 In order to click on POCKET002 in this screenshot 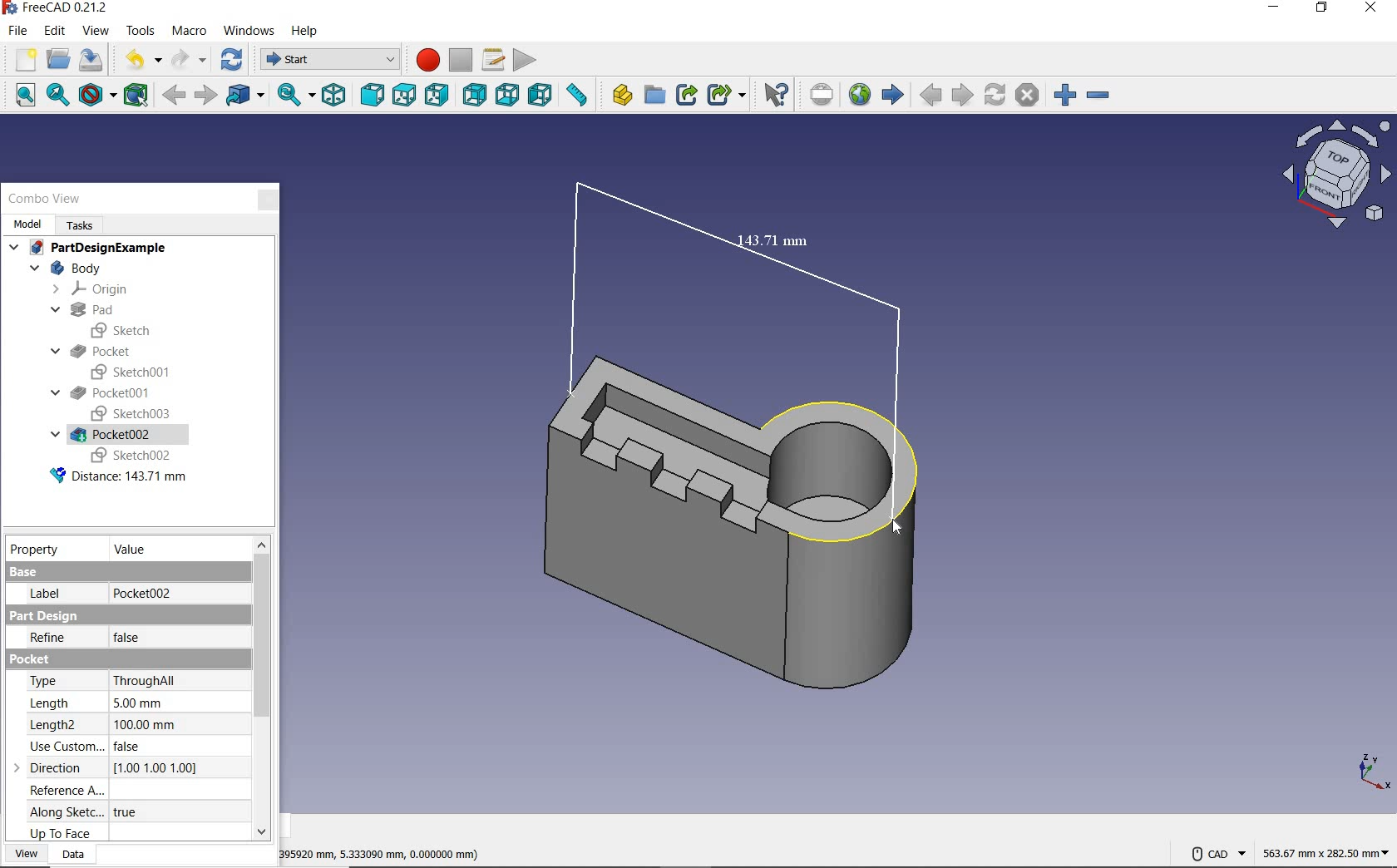, I will do `click(103, 435)`.